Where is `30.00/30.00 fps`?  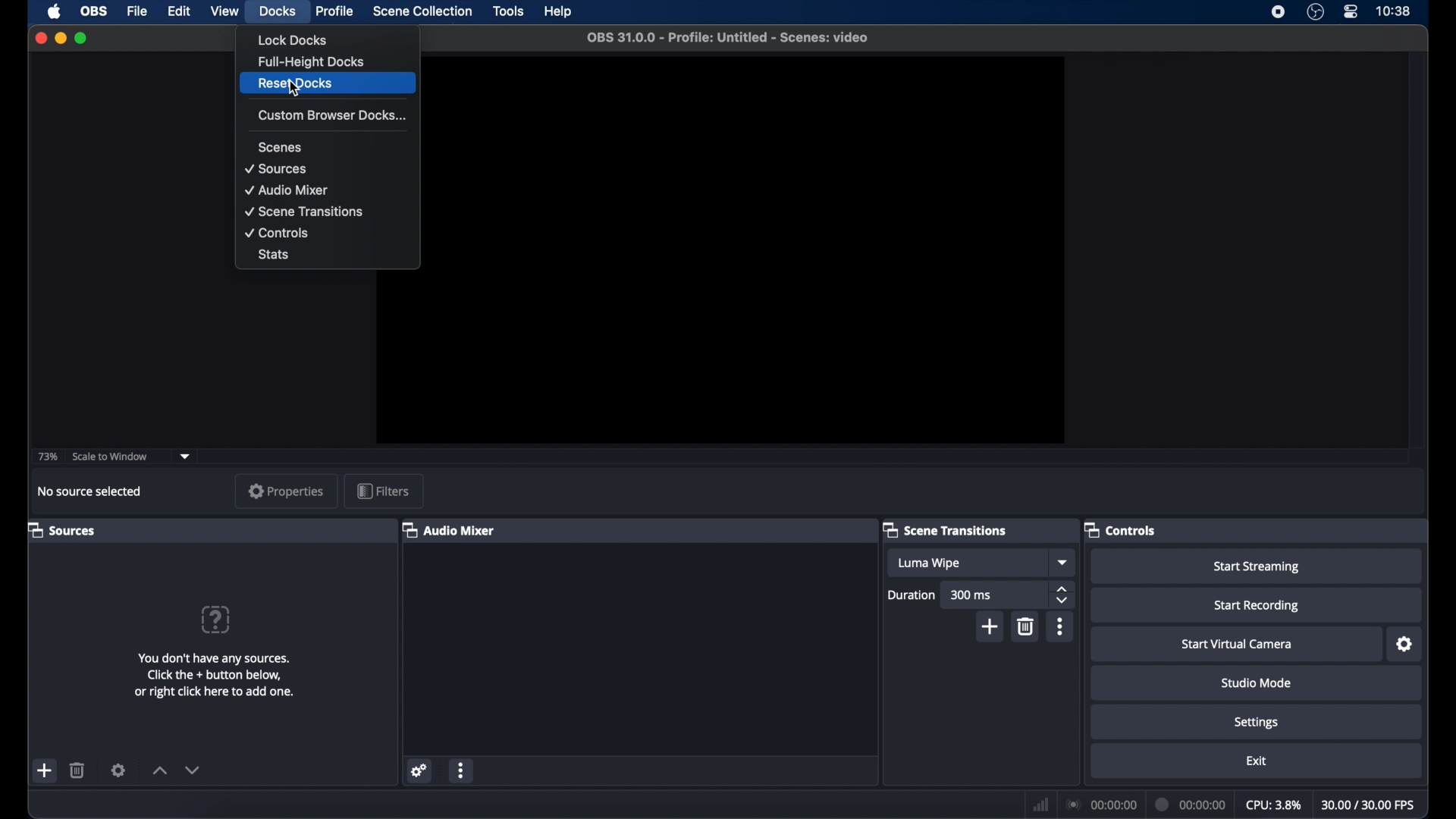
30.00/30.00 fps is located at coordinates (1368, 805).